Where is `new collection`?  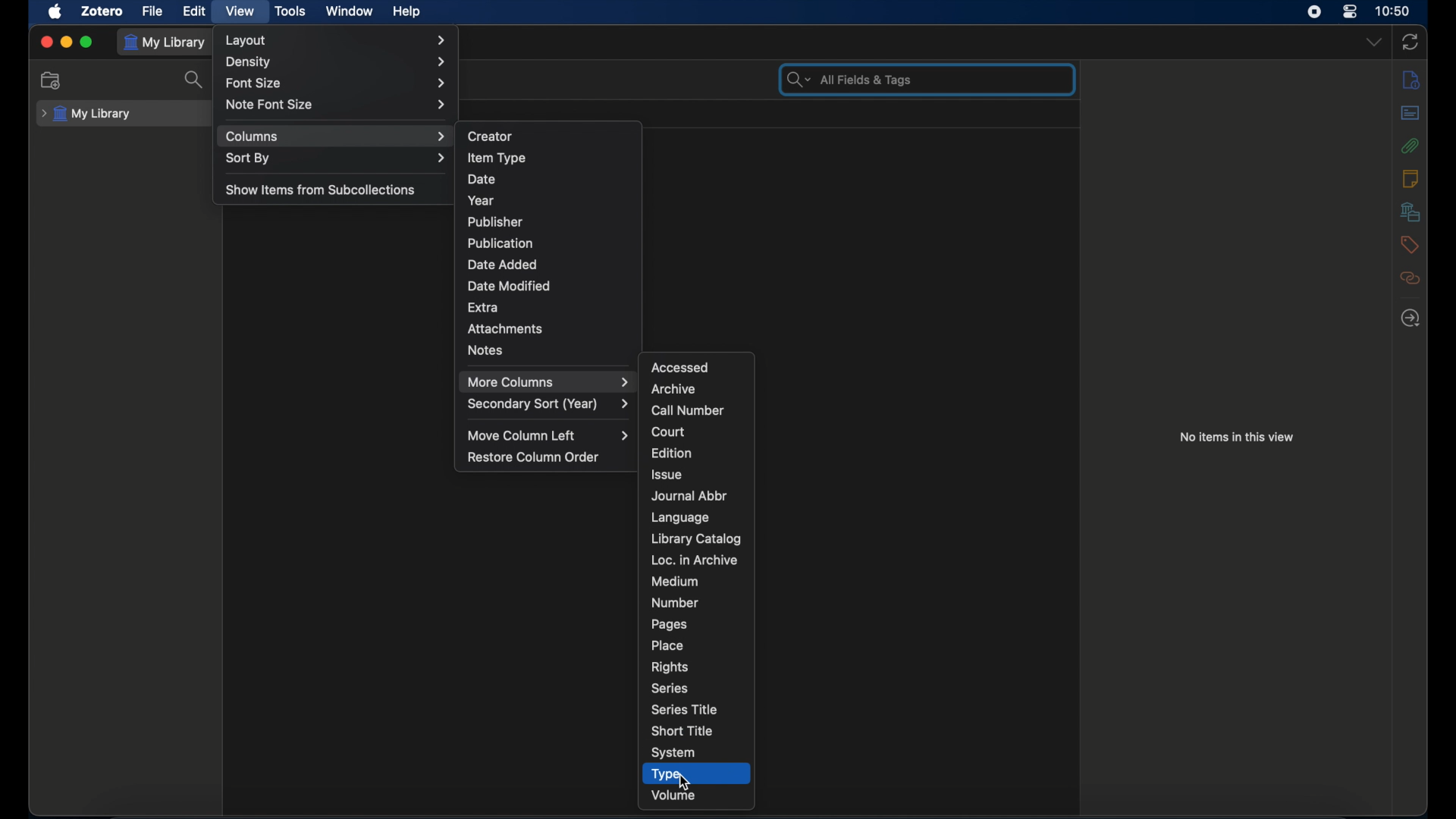
new collection is located at coordinates (52, 80).